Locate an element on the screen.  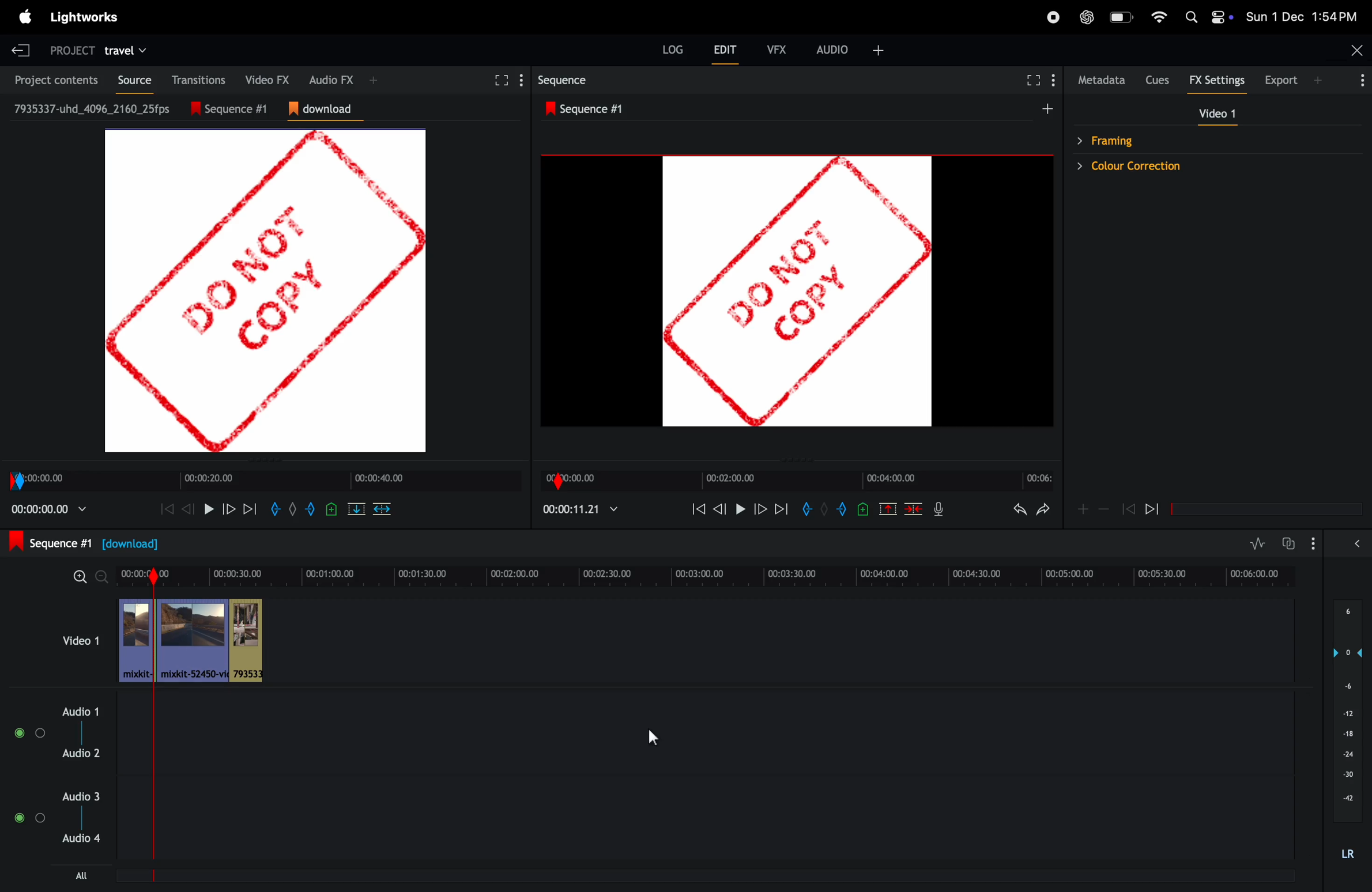
Add is located at coordinates (1317, 80).